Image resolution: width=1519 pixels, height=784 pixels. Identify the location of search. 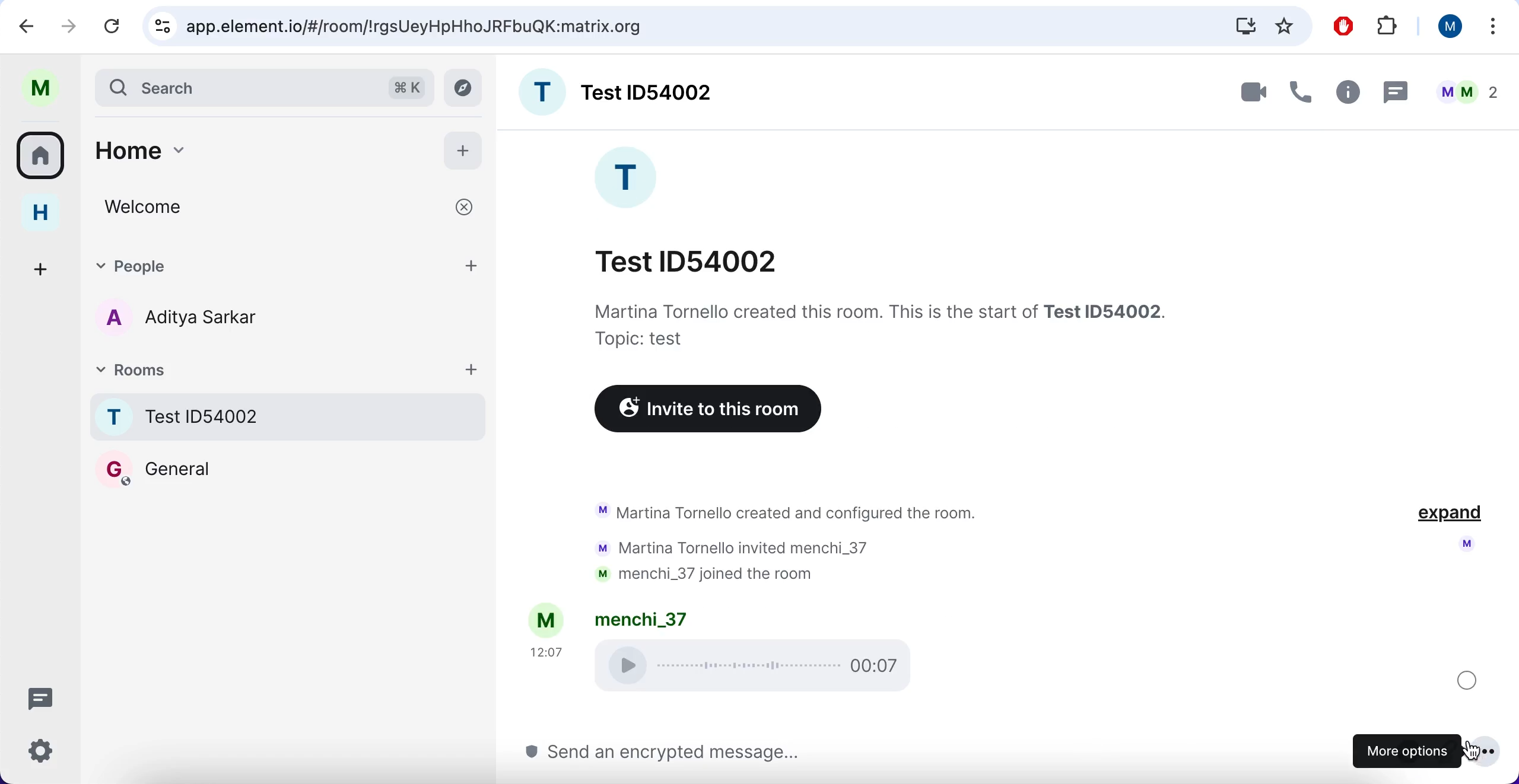
(234, 87).